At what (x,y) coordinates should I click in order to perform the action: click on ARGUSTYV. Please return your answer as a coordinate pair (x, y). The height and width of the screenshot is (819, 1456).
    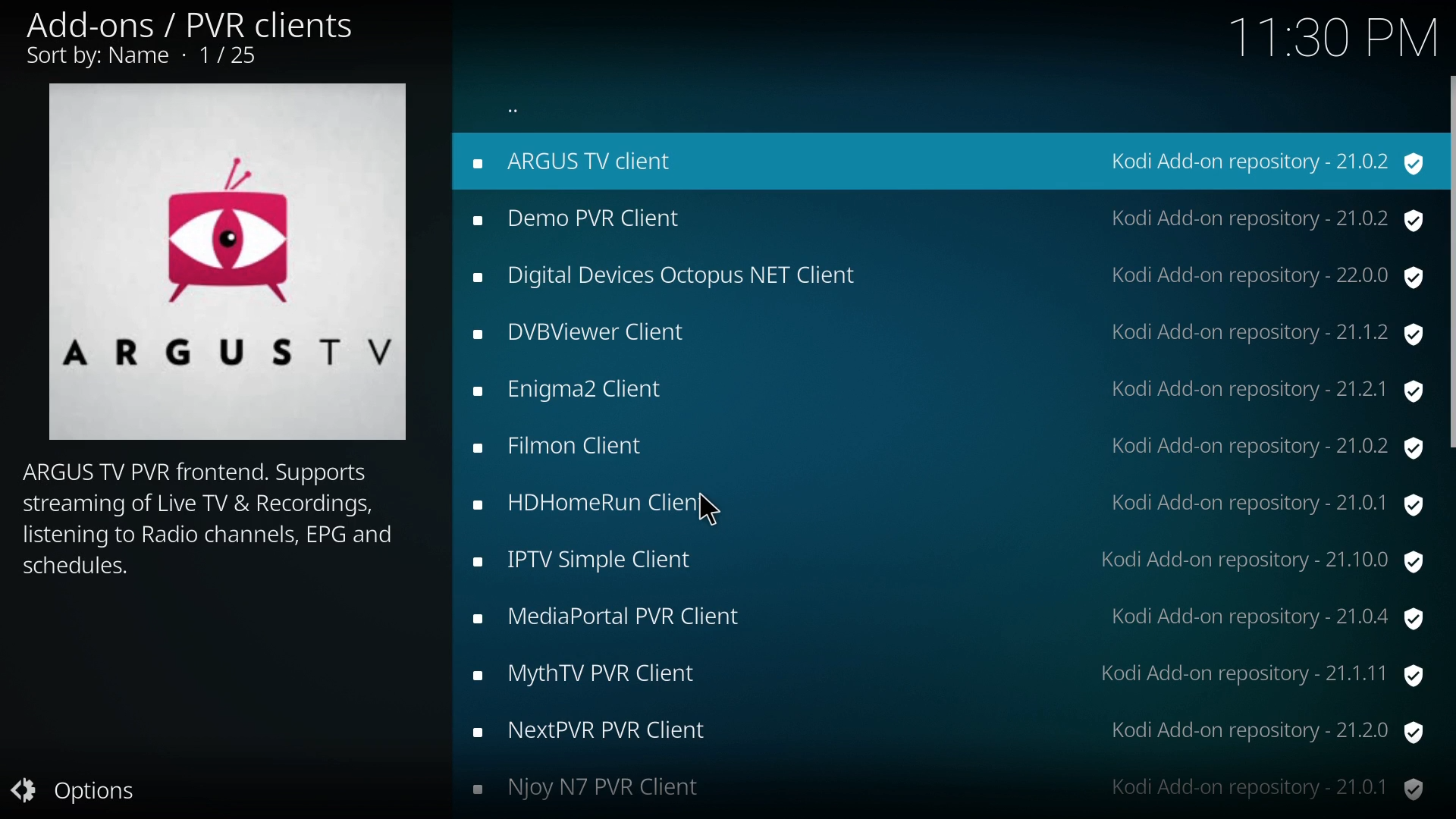
    Looking at the image, I should click on (222, 261).